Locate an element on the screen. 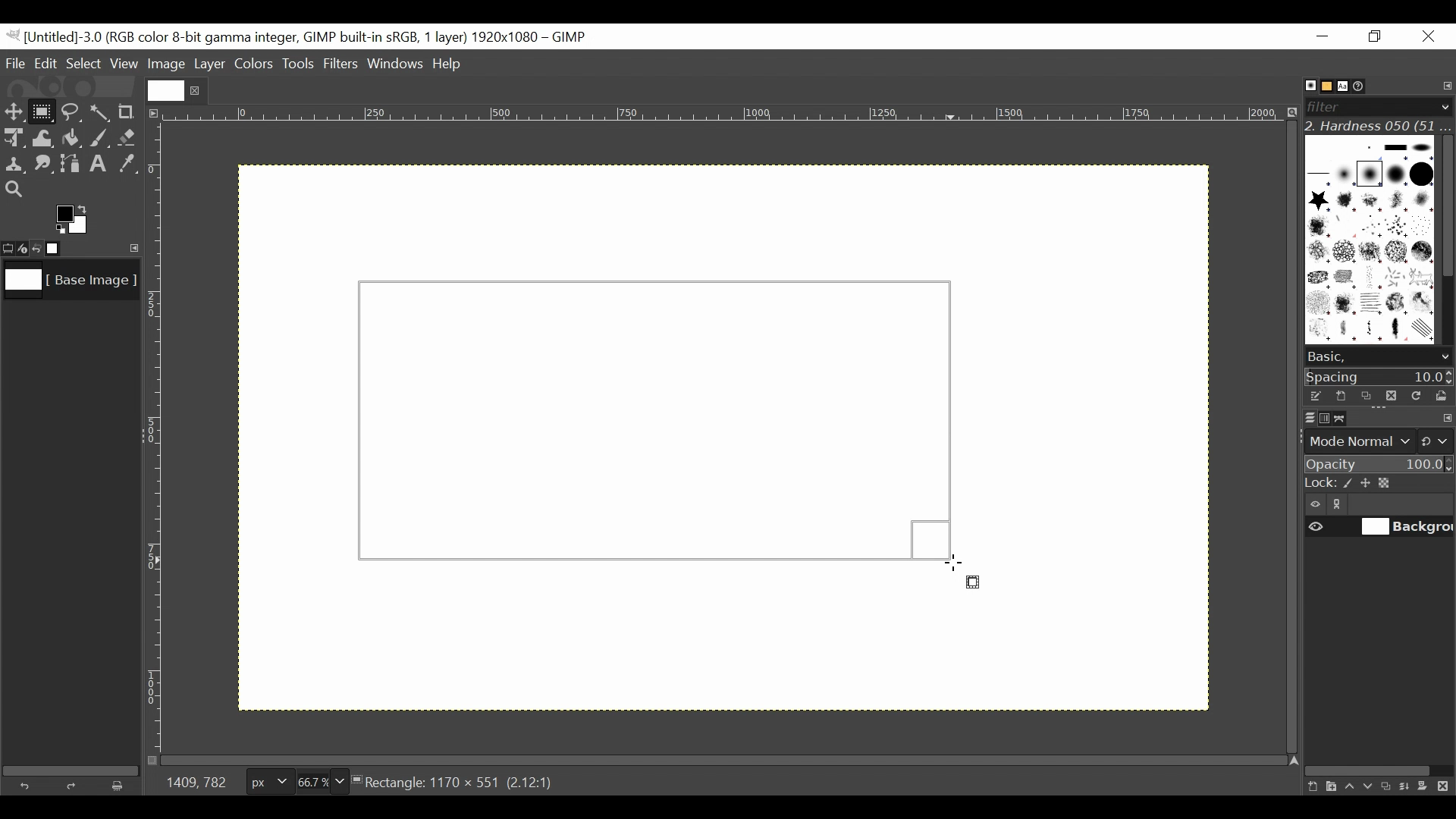 The image size is (1456, 819). Select by color tool is located at coordinates (102, 111).